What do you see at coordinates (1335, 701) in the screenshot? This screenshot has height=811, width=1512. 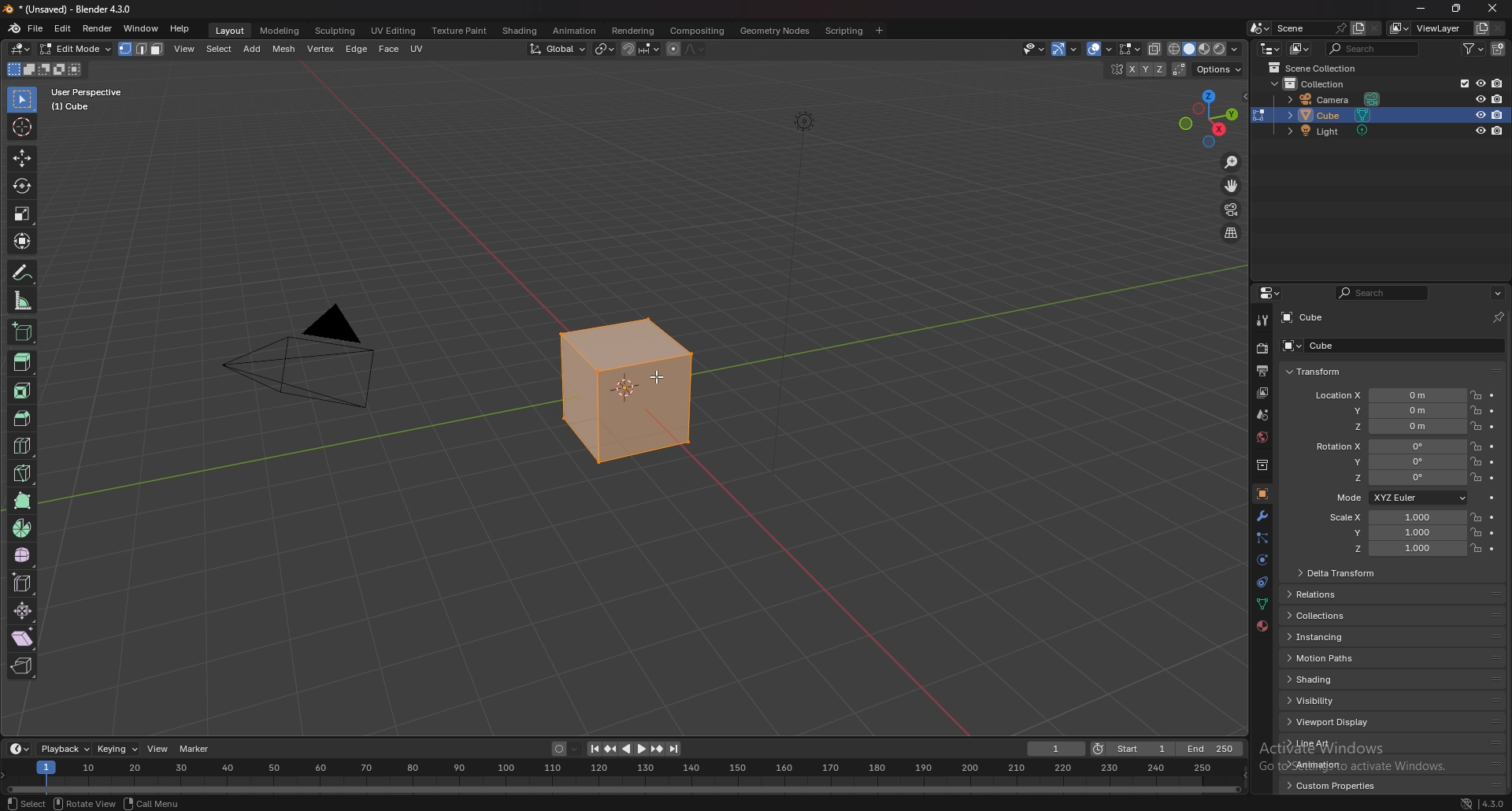 I see `visibility` at bounding box center [1335, 701].